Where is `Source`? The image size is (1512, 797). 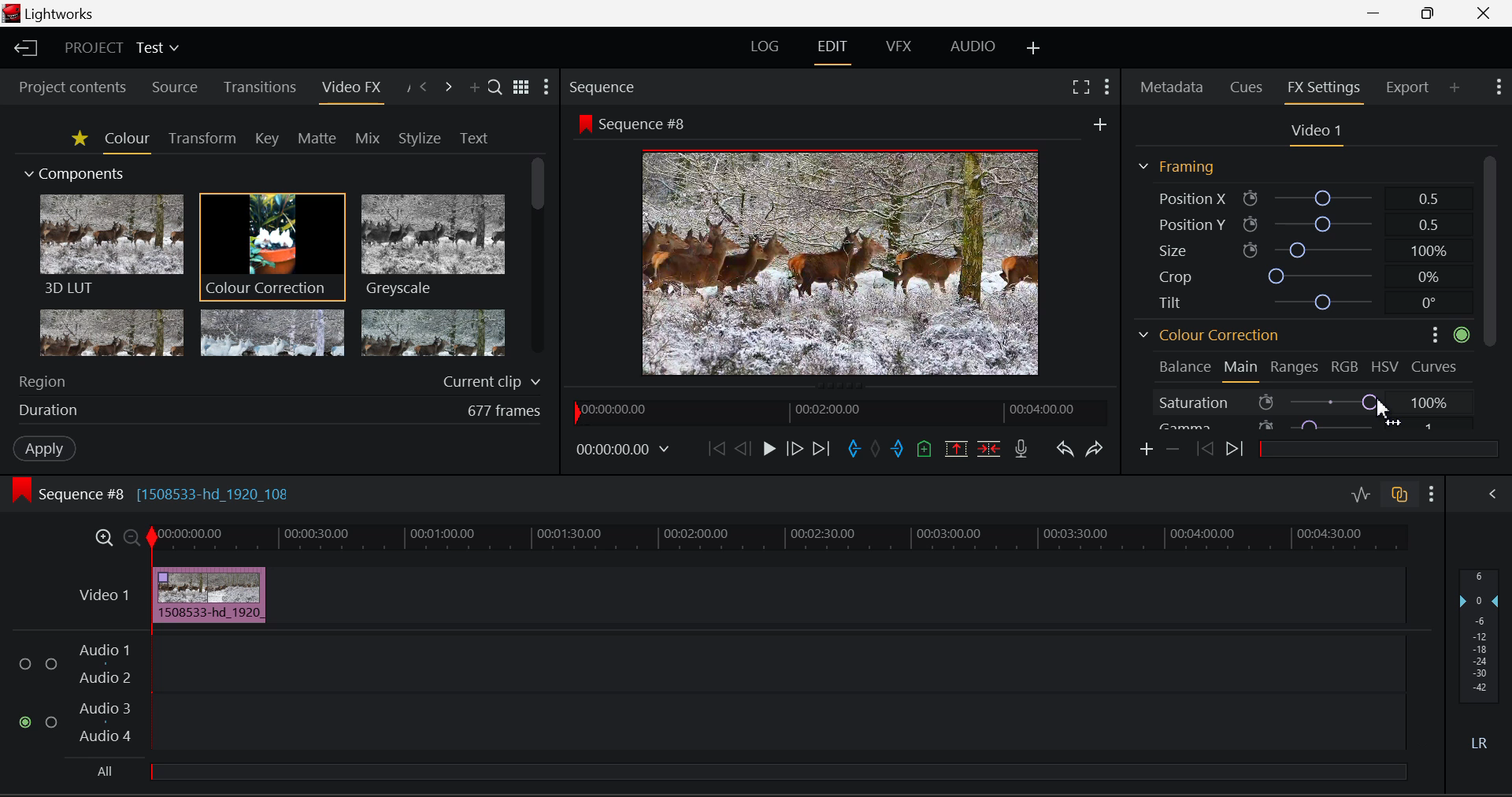 Source is located at coordinates (176, 87).